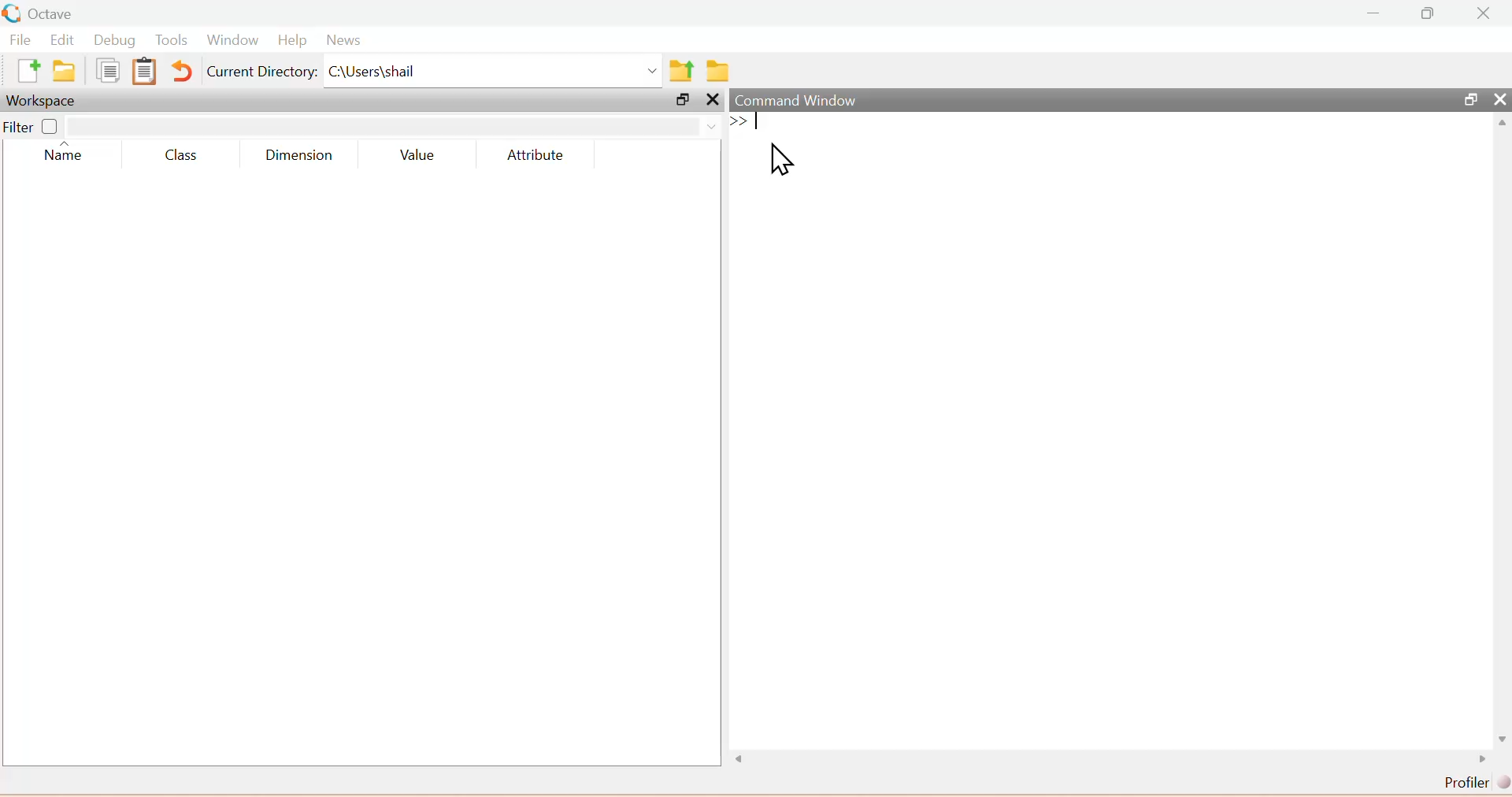 Image resolution: width=1512 pixels, height=797 pixels. Describe the element at coordinates (113, 42) in the screenshot. I see `Debug` at that location.